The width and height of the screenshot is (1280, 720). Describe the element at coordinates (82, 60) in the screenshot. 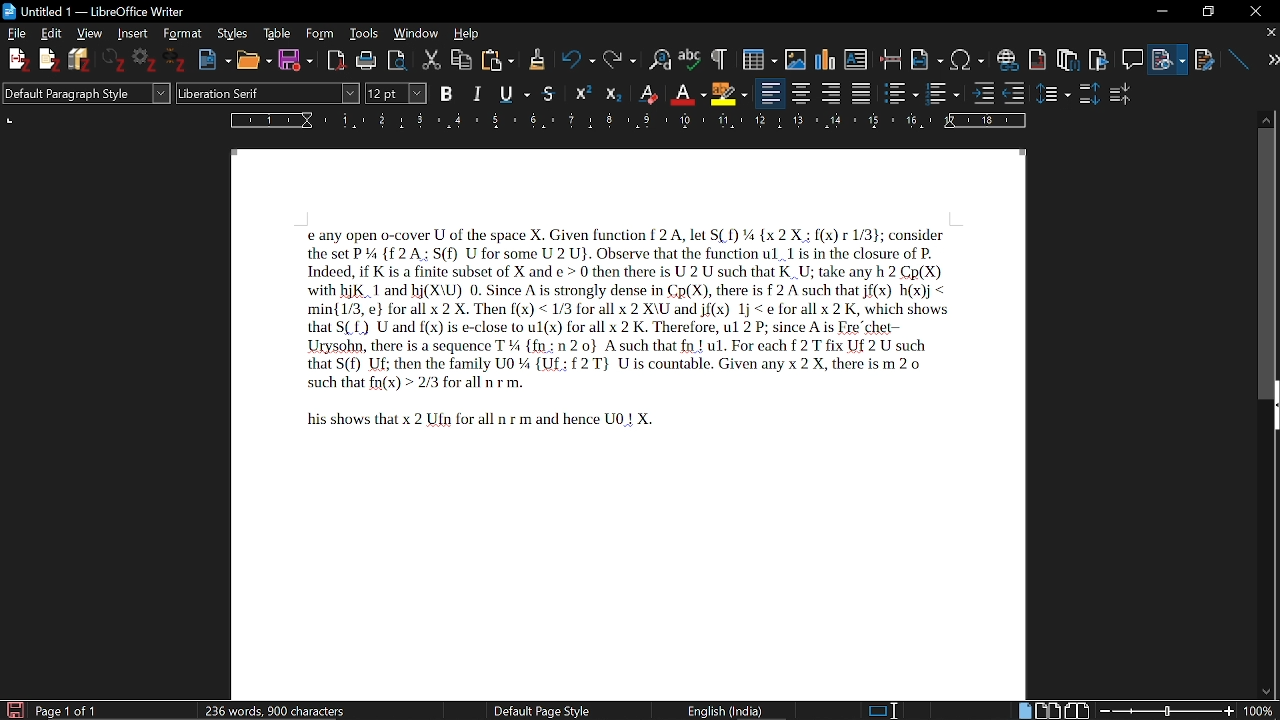

I see `Save Files` at that location.